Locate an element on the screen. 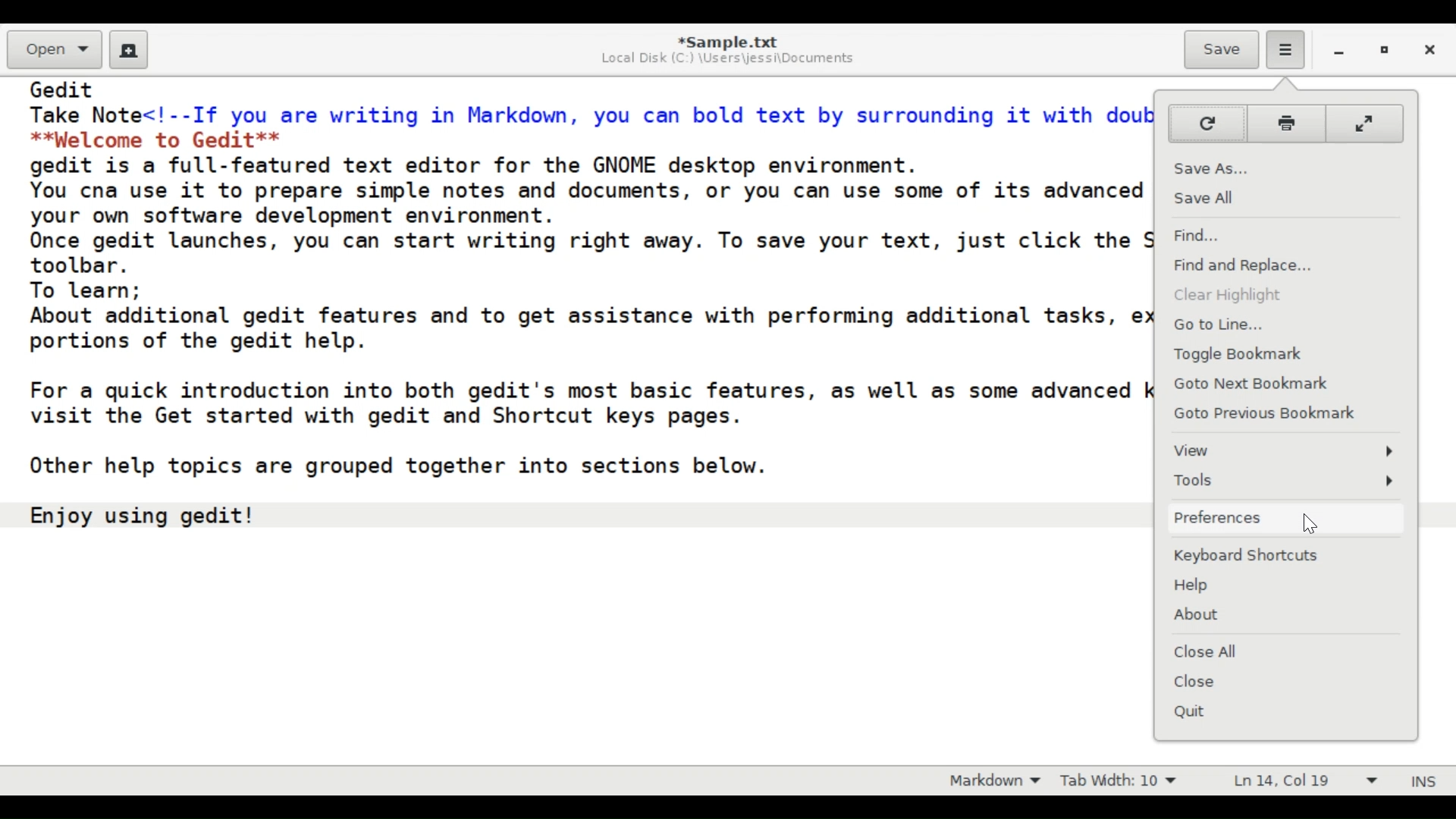 Image resolution: width=1456 pixels, height=819 pixels. Close All is located at coordinates (1284, 651).